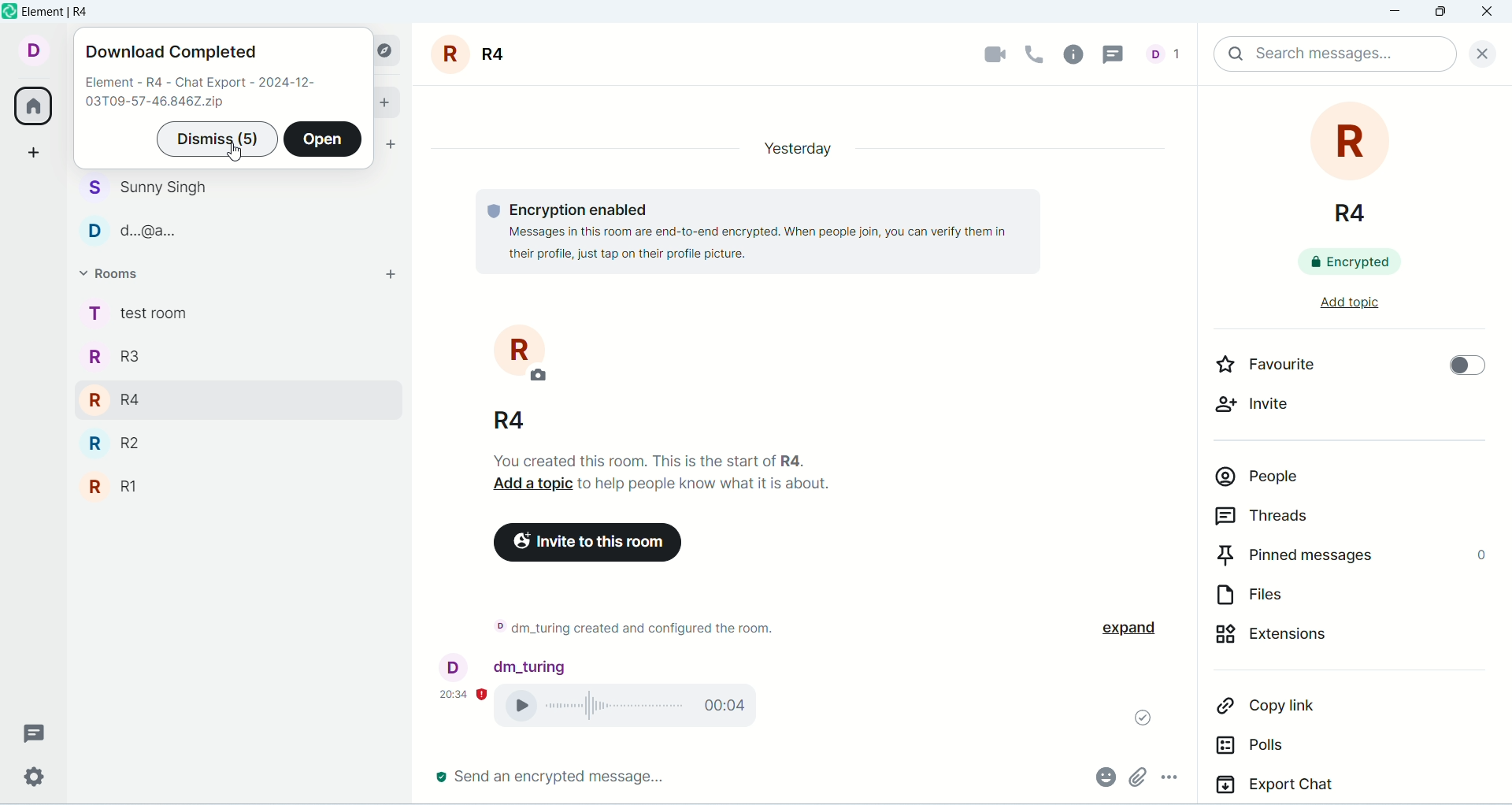 This screenshot has width=1512, height=805. Describe the element at coordinates (1347, 788) in the screenshot. I see `export chat` at that location.